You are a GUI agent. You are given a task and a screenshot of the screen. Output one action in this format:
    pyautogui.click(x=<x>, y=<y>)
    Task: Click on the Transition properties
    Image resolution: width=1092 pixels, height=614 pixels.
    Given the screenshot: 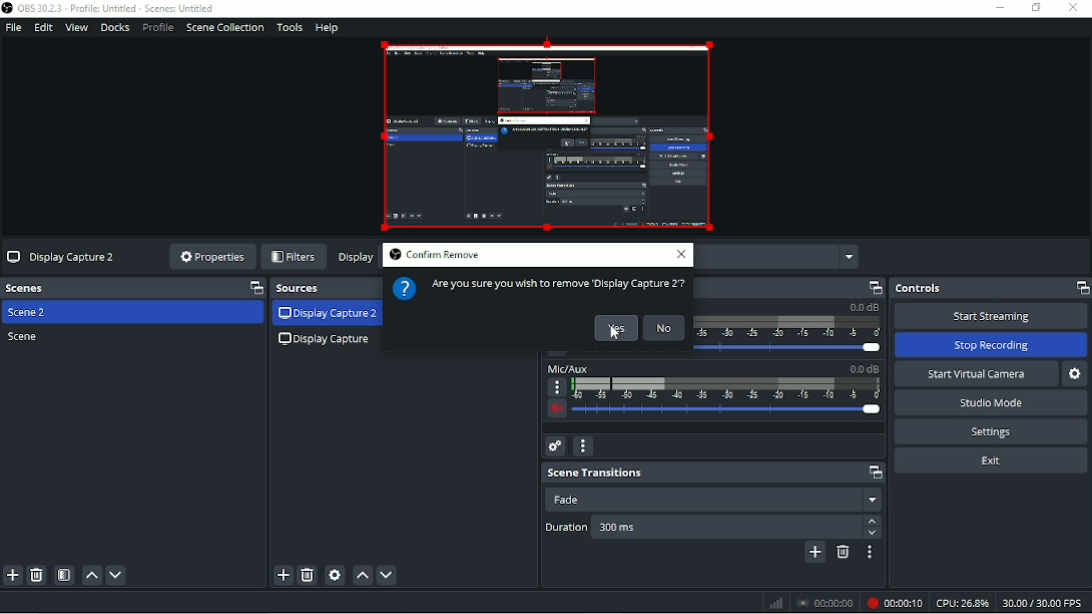 What is the action you would take?
    pyautogui.click(x=872, y=553)
    